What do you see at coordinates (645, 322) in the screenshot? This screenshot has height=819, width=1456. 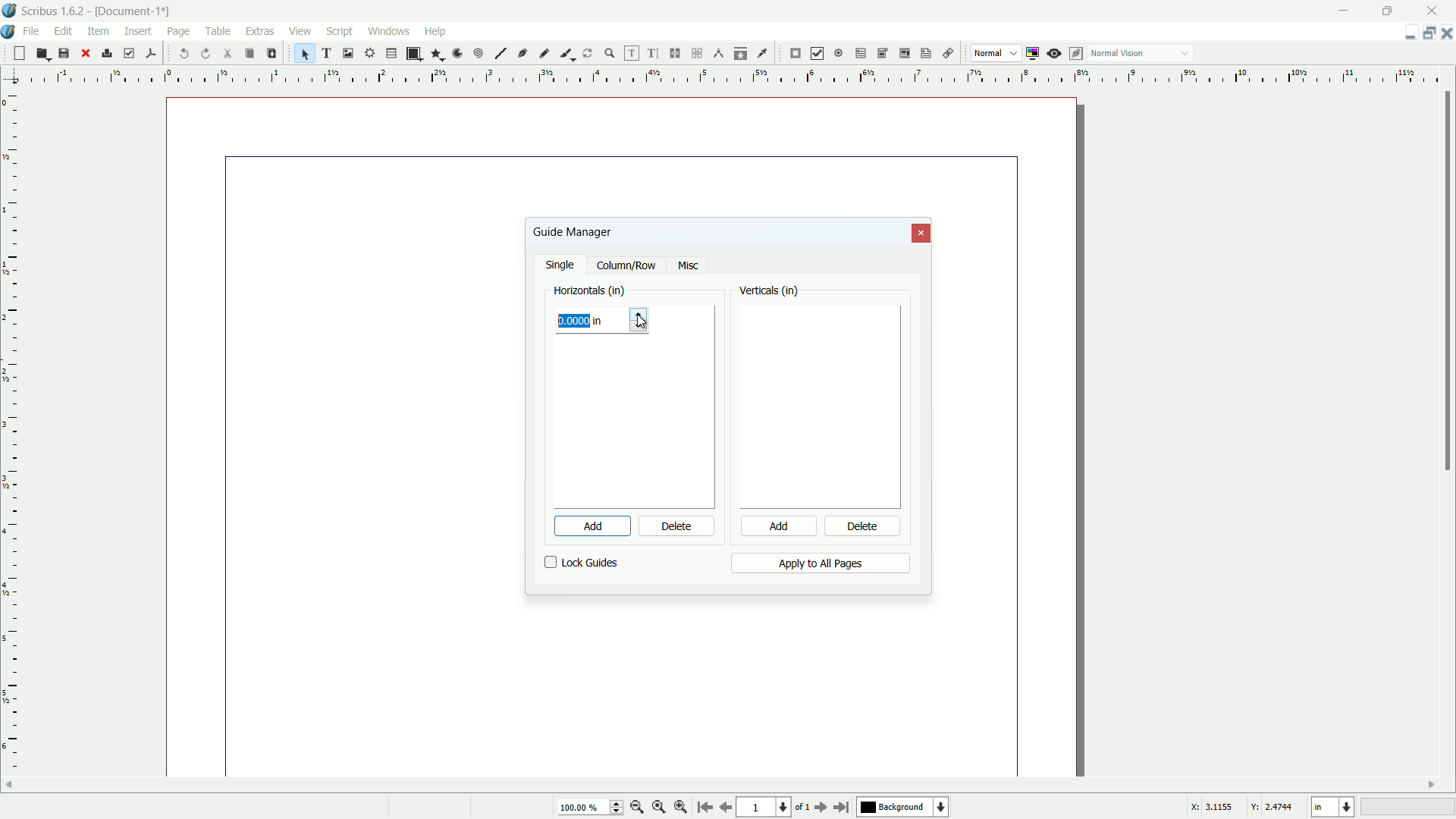 I see `cursor` at bounding box center [645, 322].